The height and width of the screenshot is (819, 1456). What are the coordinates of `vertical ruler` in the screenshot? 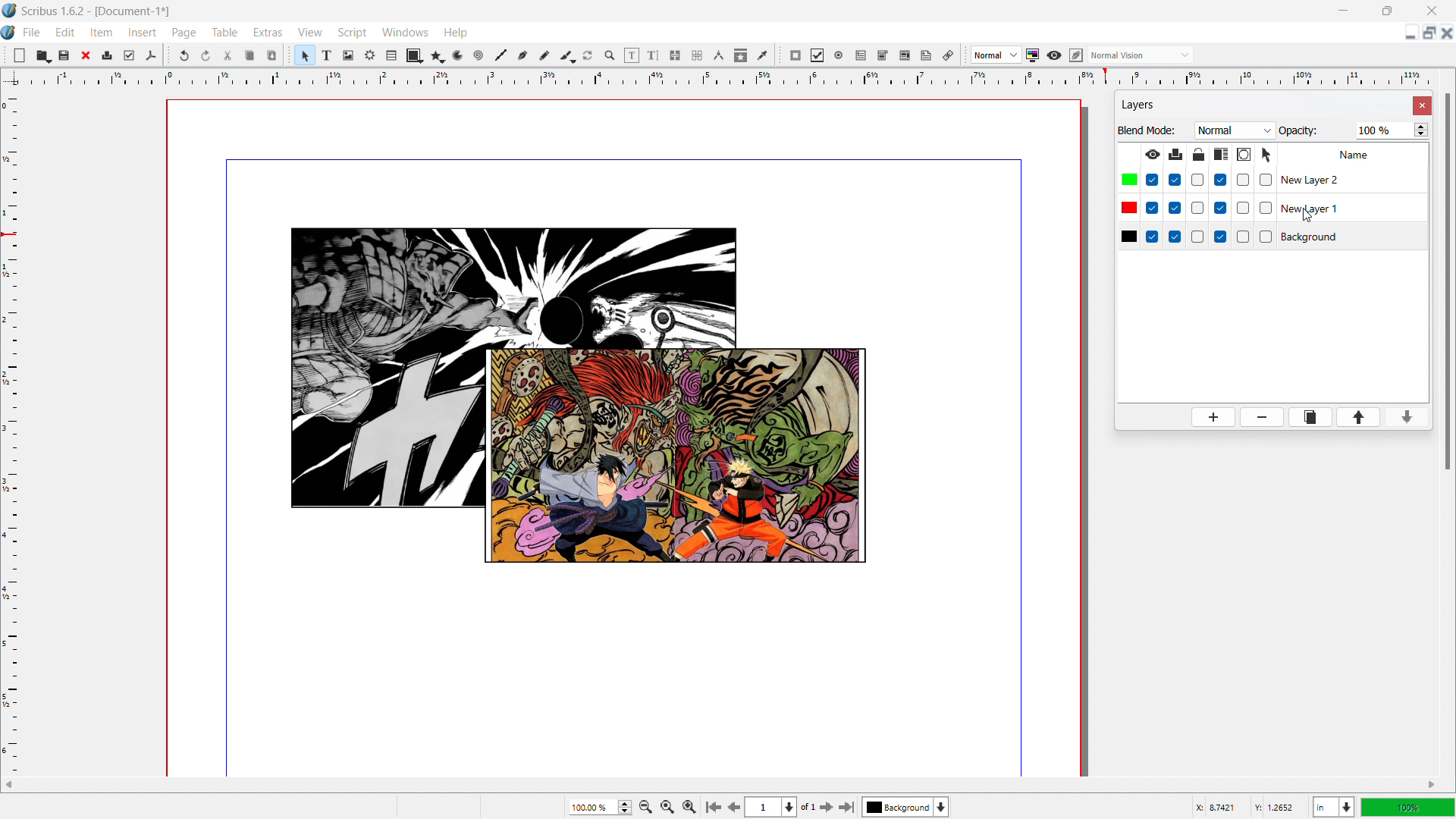 It's located at (11, 431).